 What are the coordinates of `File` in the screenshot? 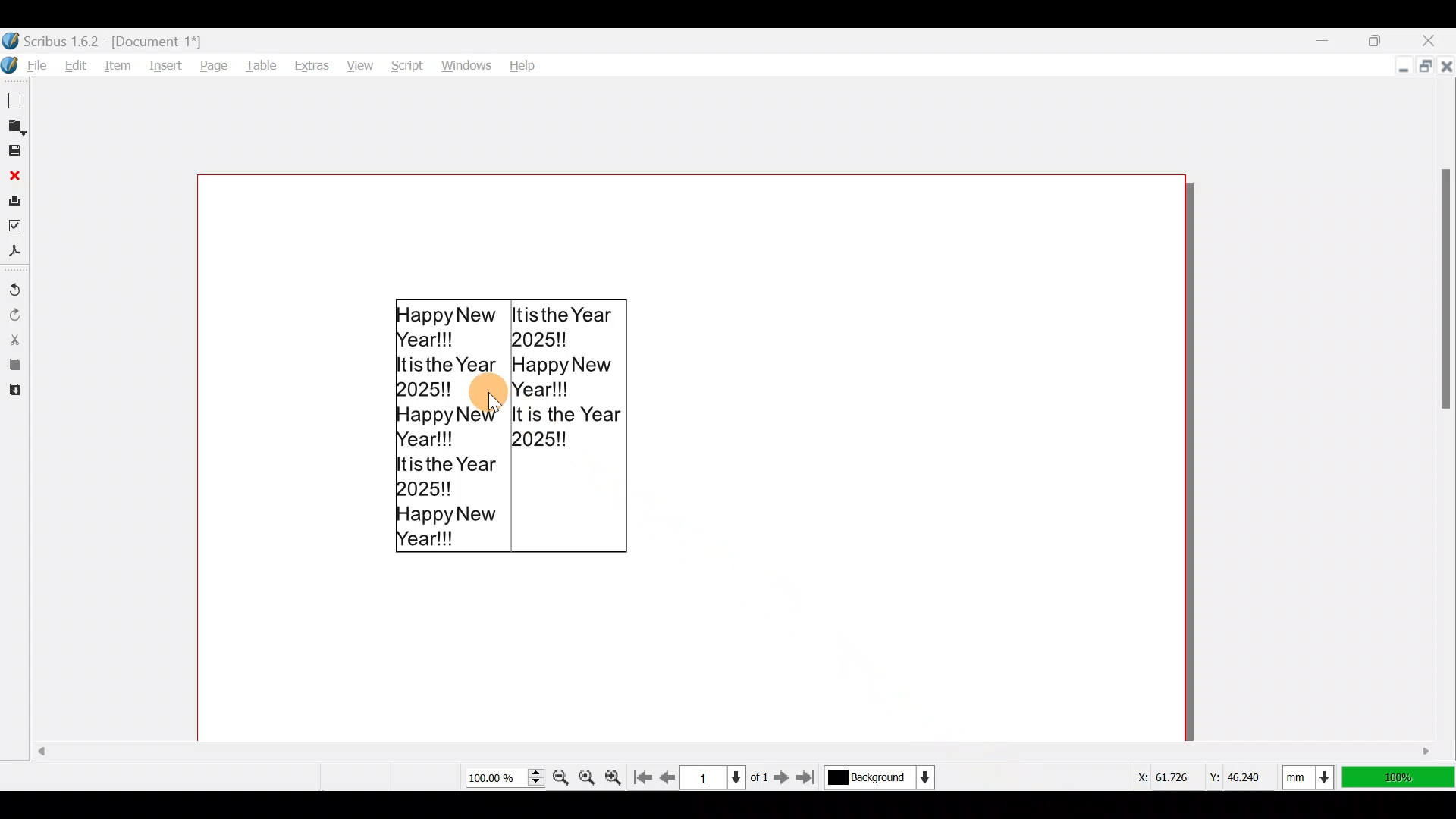 It's located at (27, 65).